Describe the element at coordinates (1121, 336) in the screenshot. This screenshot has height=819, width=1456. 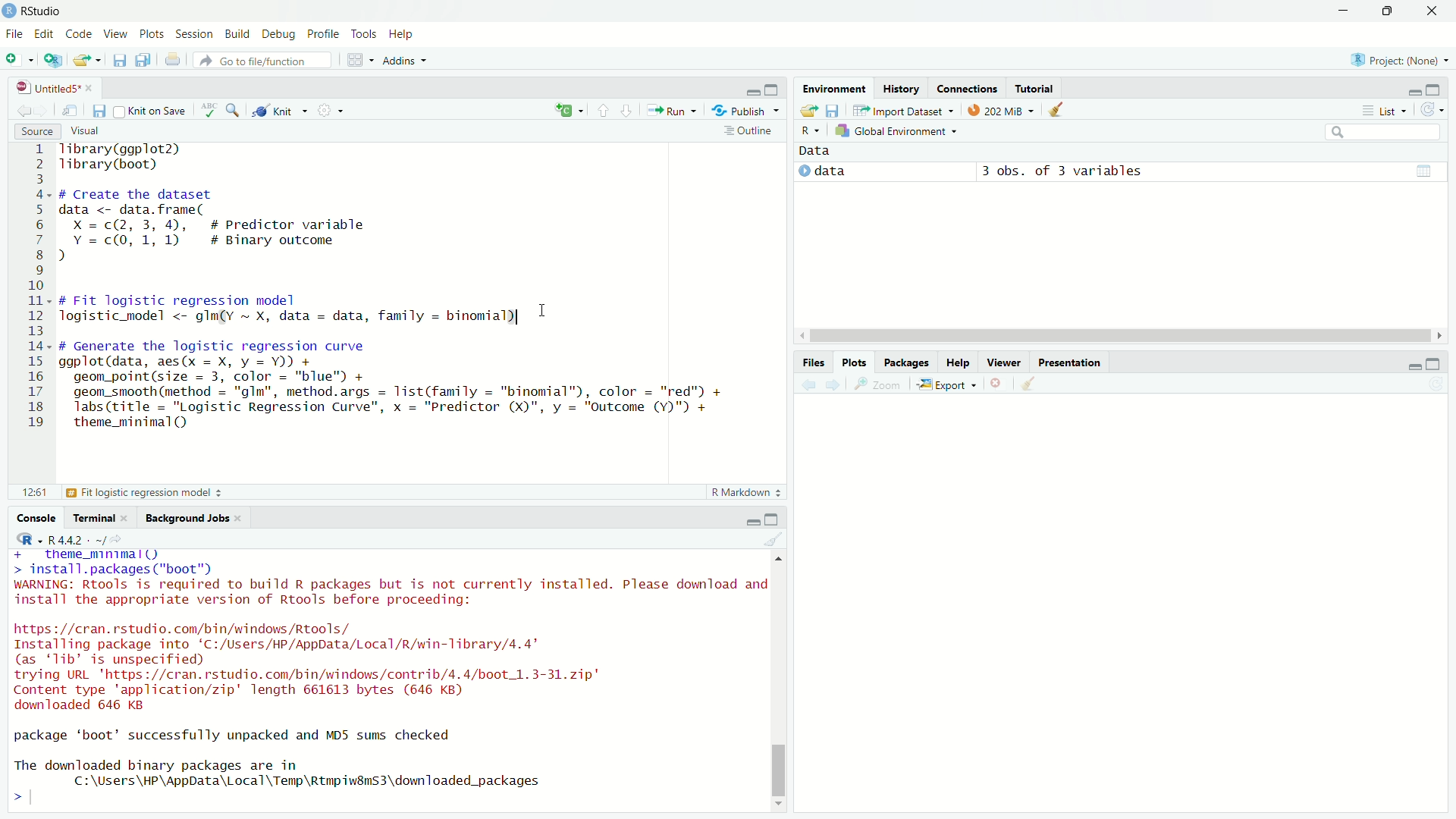
I see `horizontal scroll bar` at that location.